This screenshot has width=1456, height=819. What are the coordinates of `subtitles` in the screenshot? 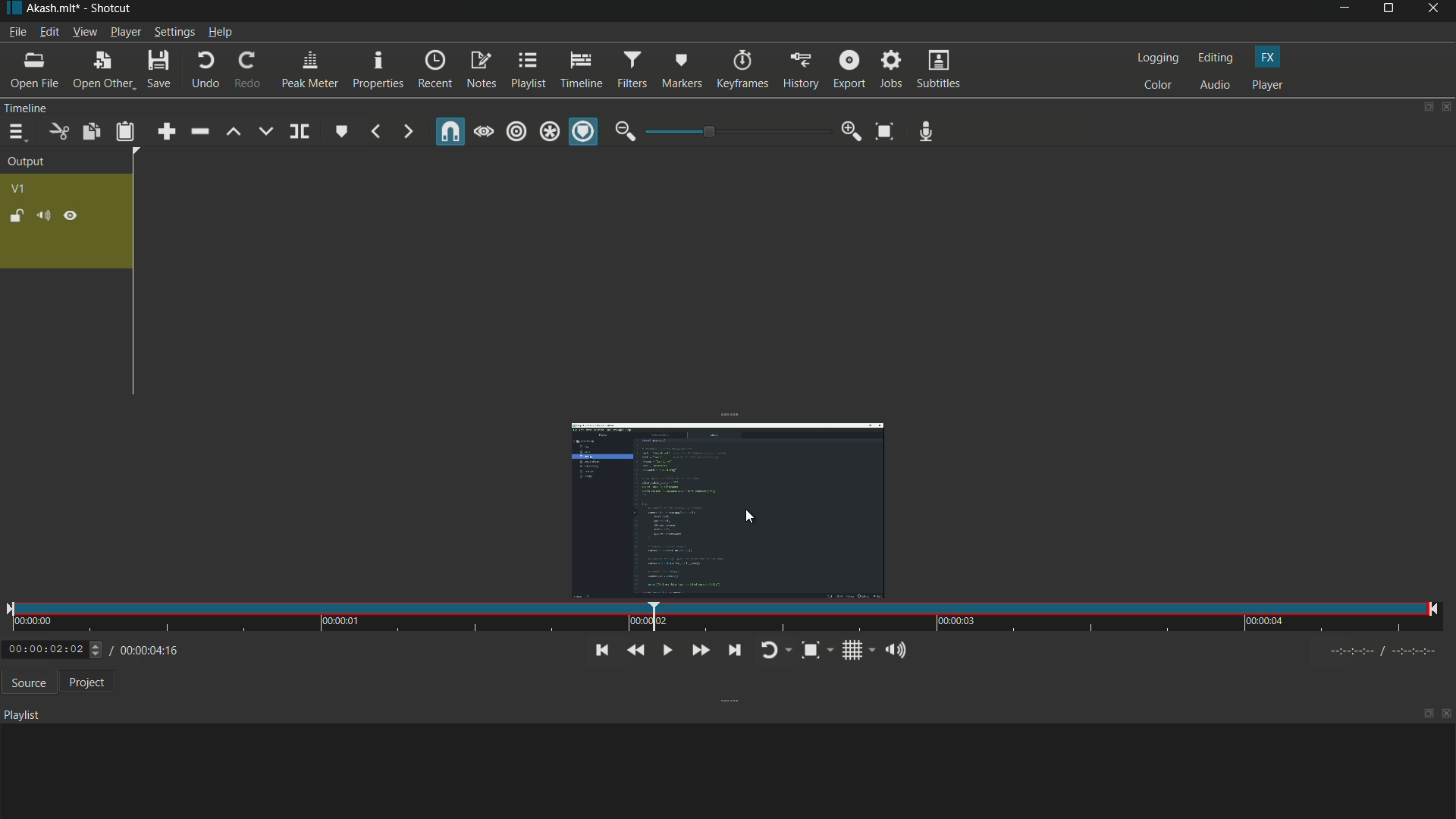 It's located at (940, 69).